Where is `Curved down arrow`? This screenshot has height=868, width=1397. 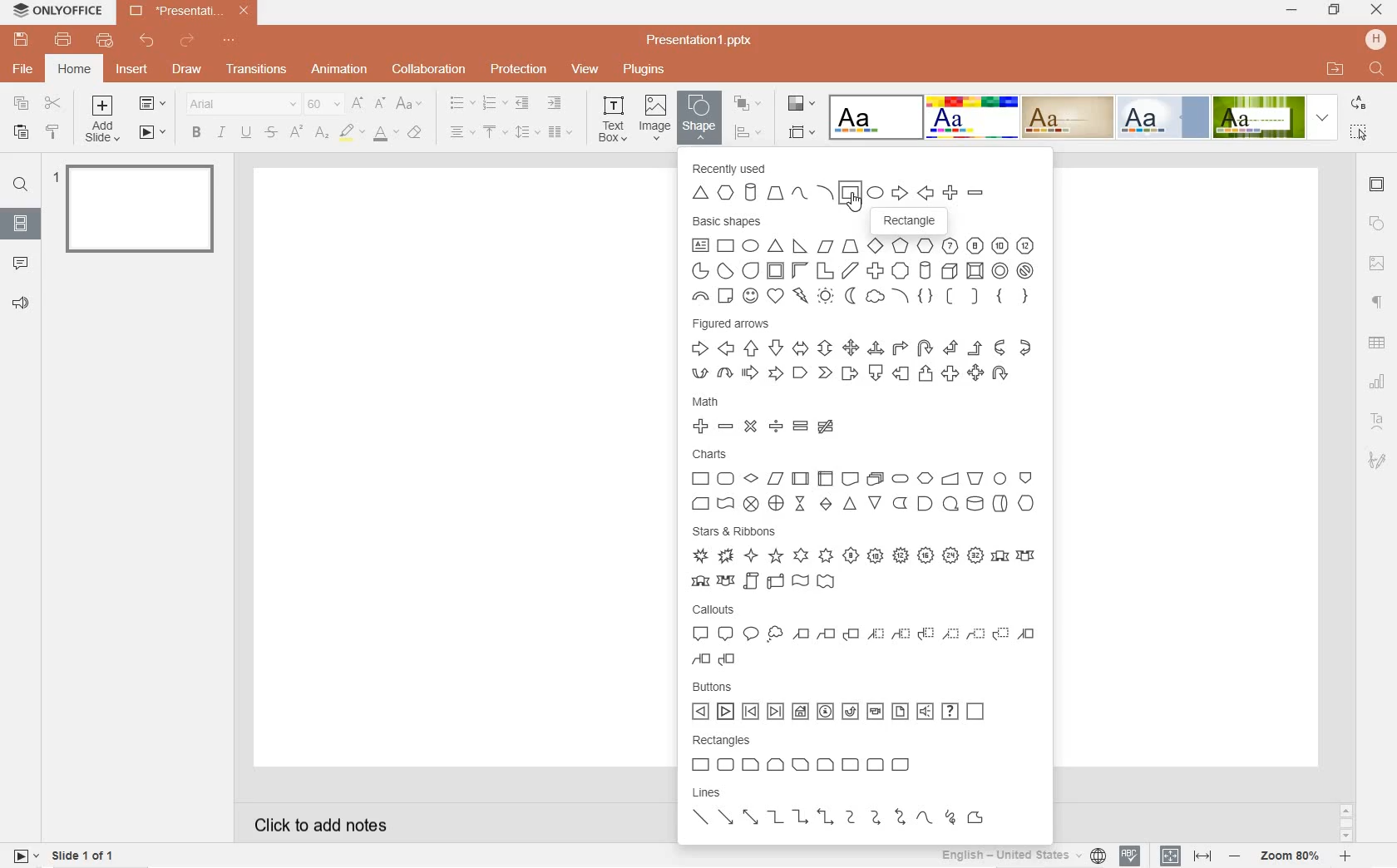
Curved down arrow is located at coordinates (726, 373).